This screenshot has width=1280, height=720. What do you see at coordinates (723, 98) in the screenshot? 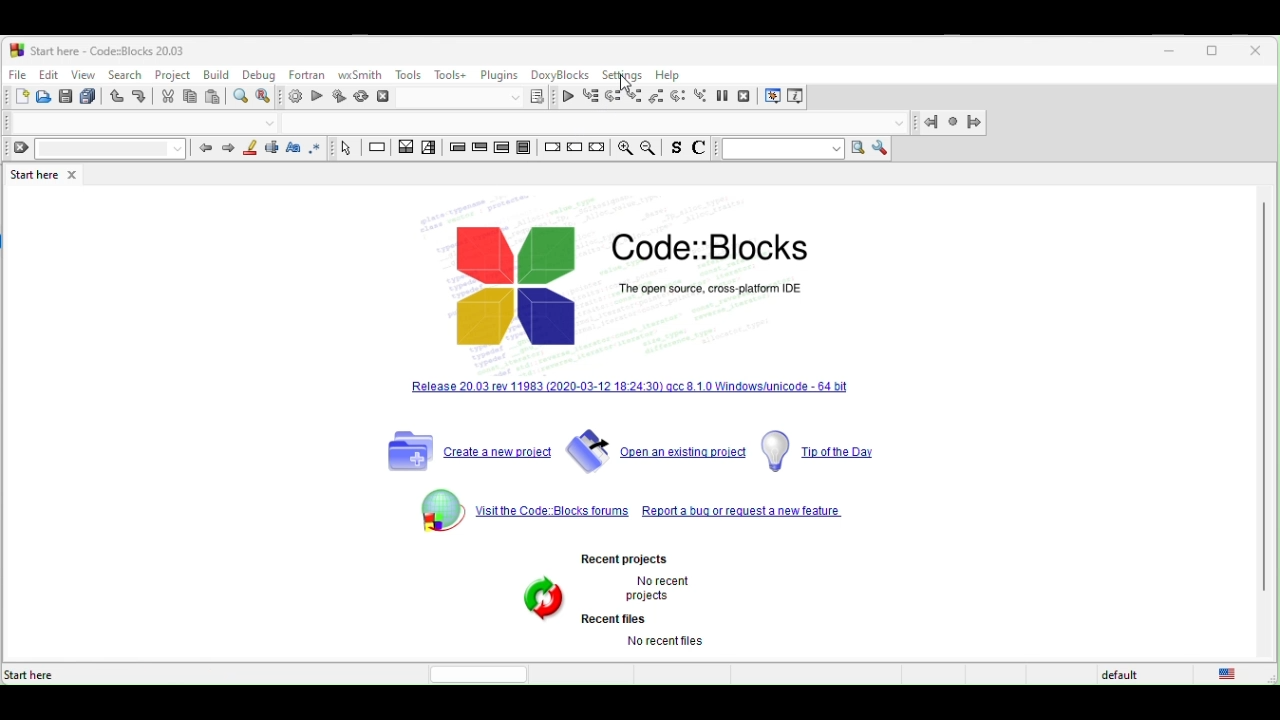
I see `break debugger` at bounding box center [723, 98].